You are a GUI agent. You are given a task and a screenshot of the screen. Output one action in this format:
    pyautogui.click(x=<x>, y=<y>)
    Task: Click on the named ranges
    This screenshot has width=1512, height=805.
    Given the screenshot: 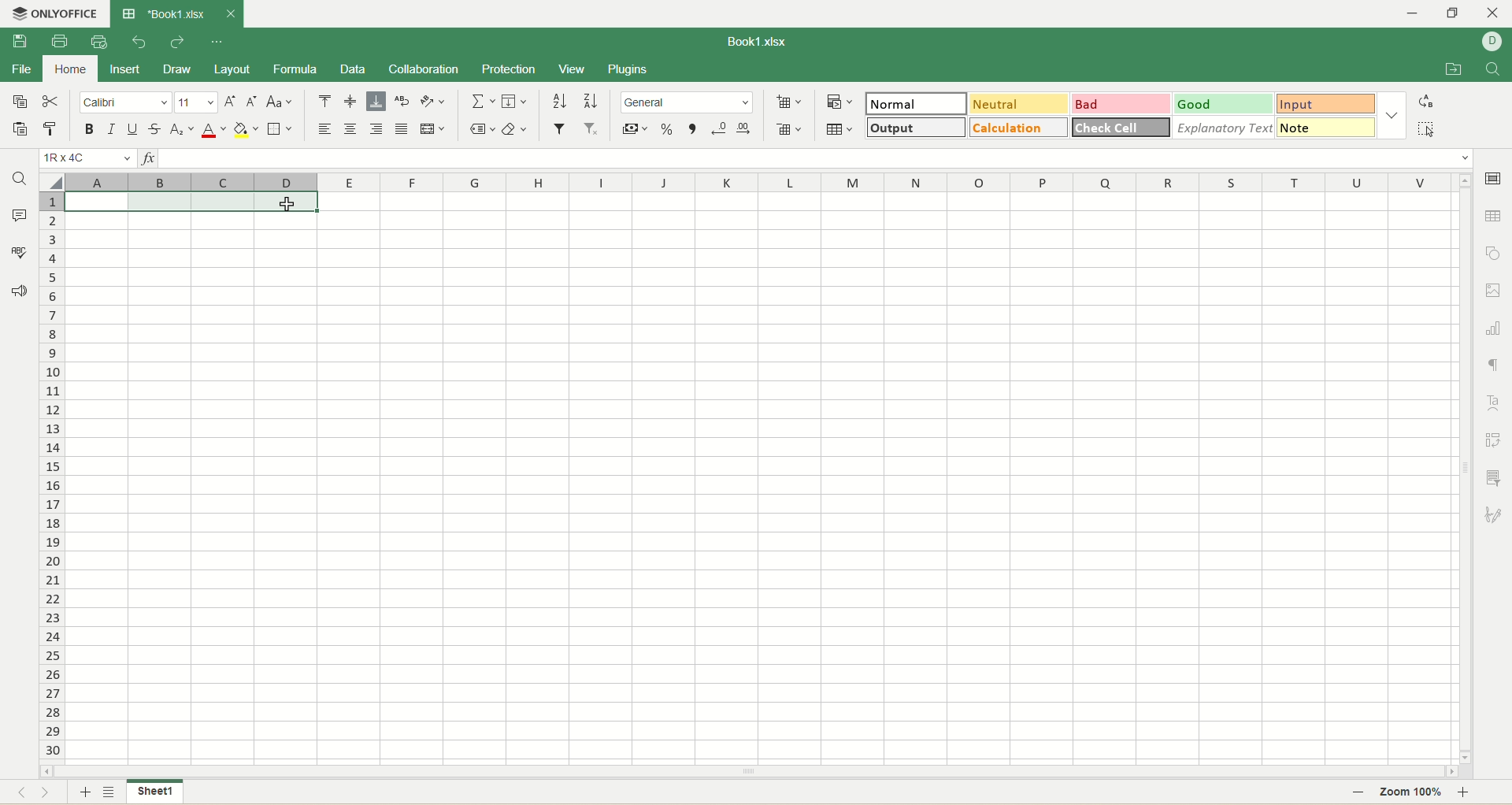 What is the action you would take?
    pyautogui.click(x=483, y=129)
    